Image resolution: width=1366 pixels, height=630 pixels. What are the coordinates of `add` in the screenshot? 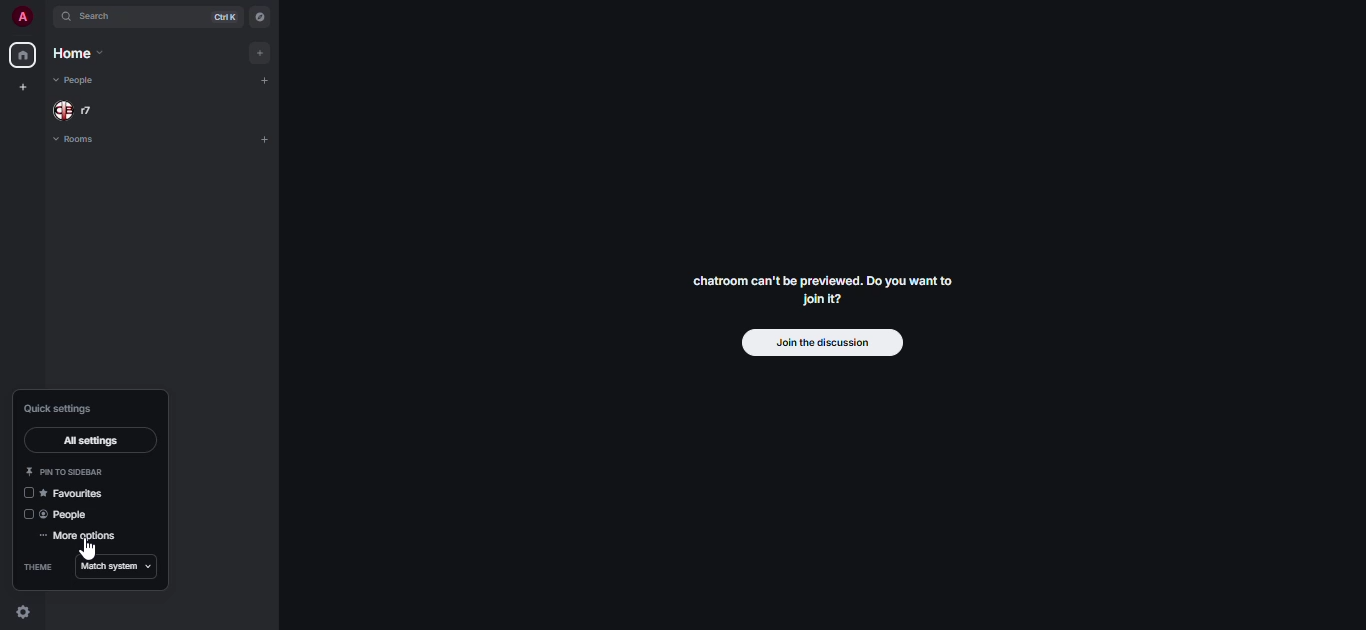 It's located at (264, 81).